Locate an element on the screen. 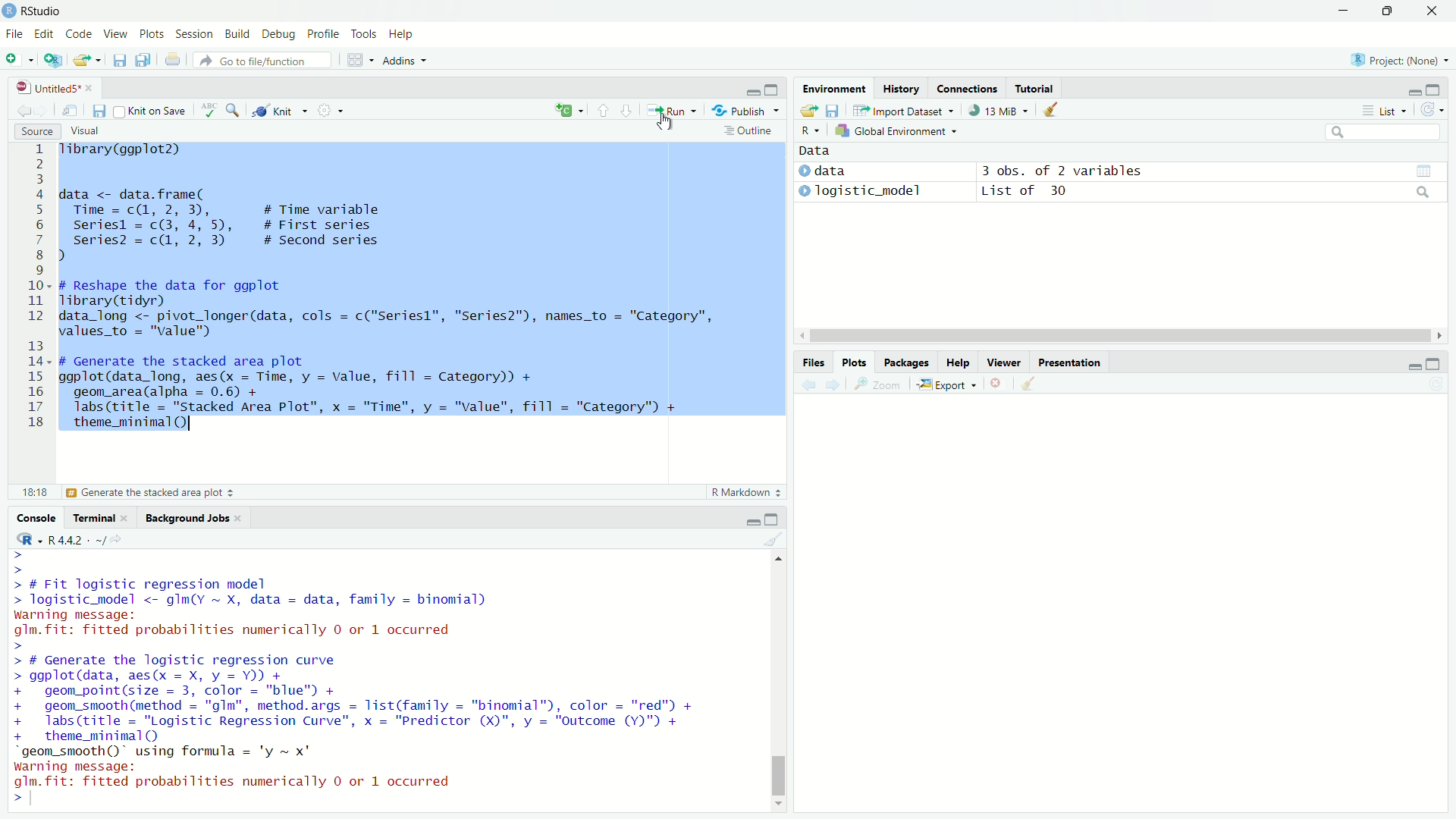  Knit on Save is located at coordinates (152, 111).